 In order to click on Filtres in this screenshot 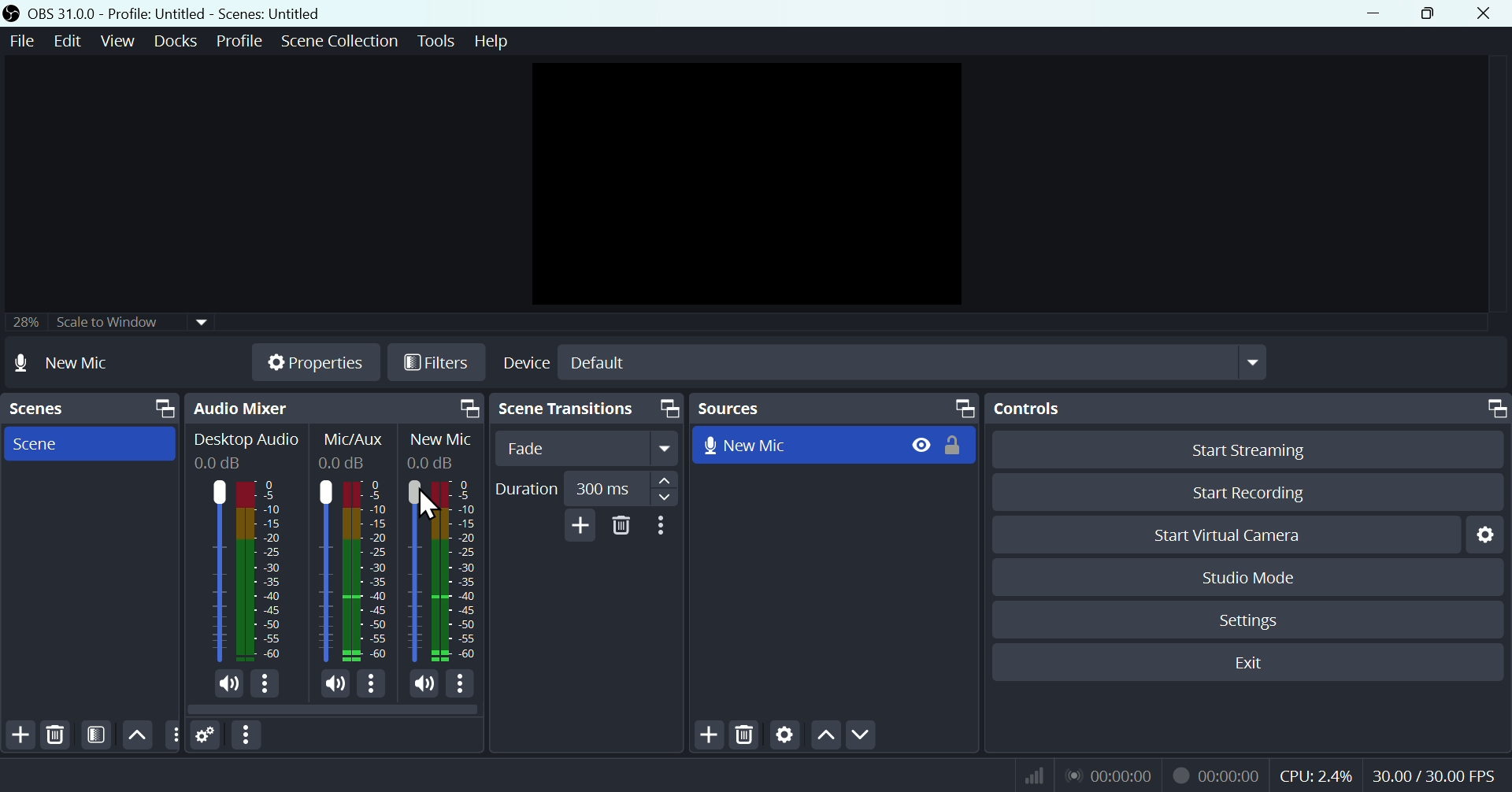, I will do `click(437, 365)`.